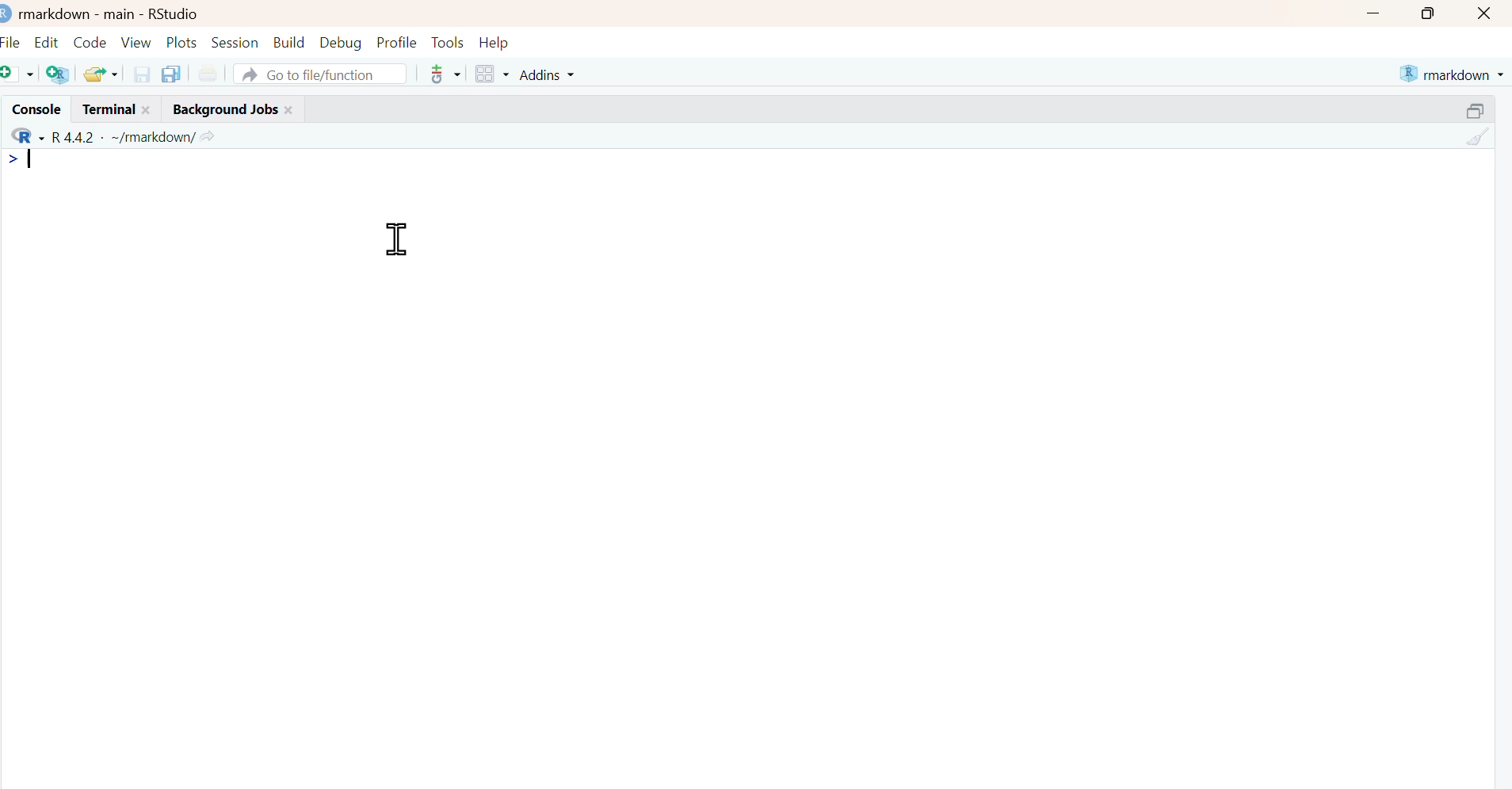  I want to click on save, so click(143, 73).